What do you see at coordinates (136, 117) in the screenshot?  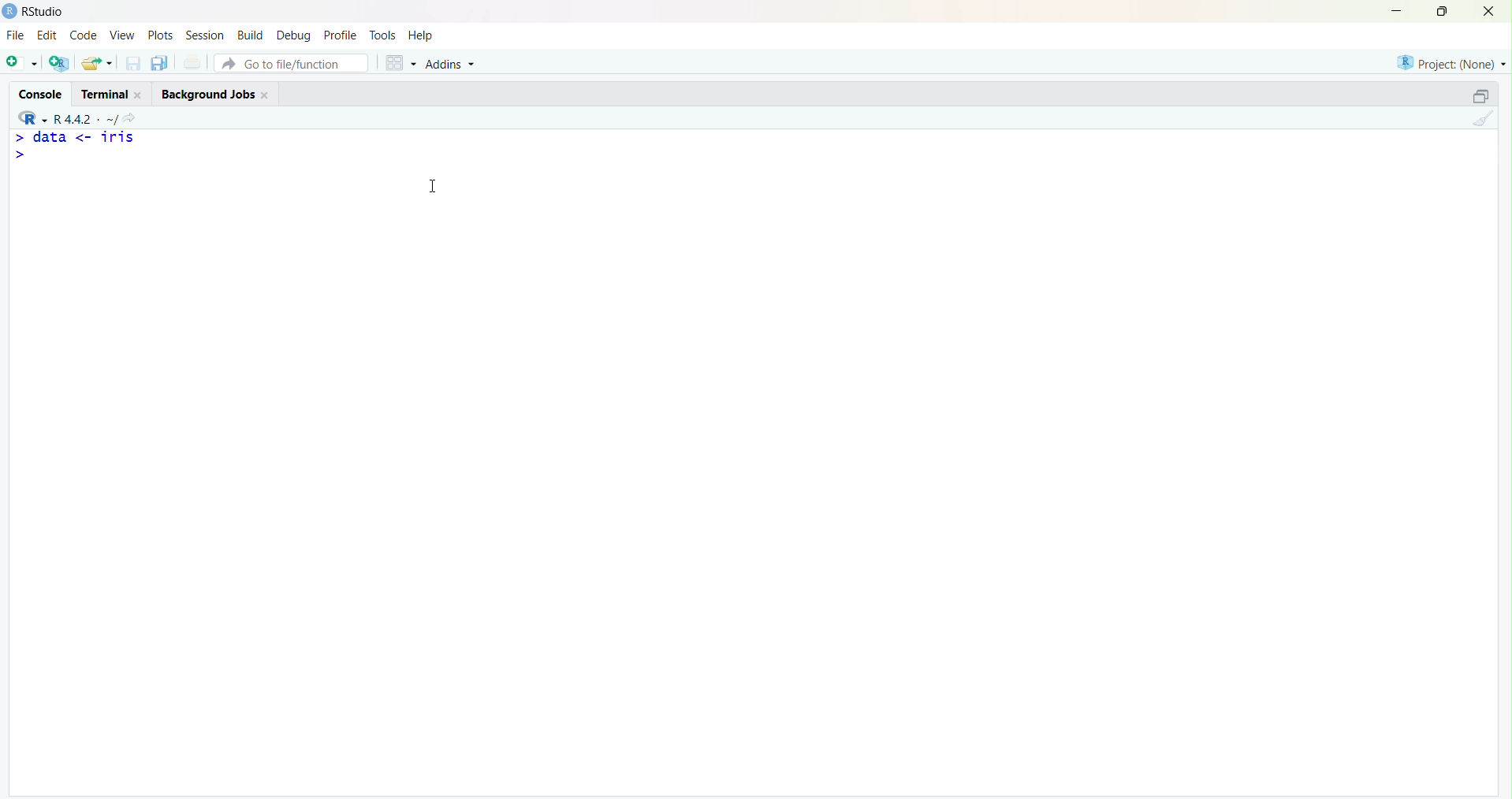 I see `View the current working directory` at bounding box center [136, 117].